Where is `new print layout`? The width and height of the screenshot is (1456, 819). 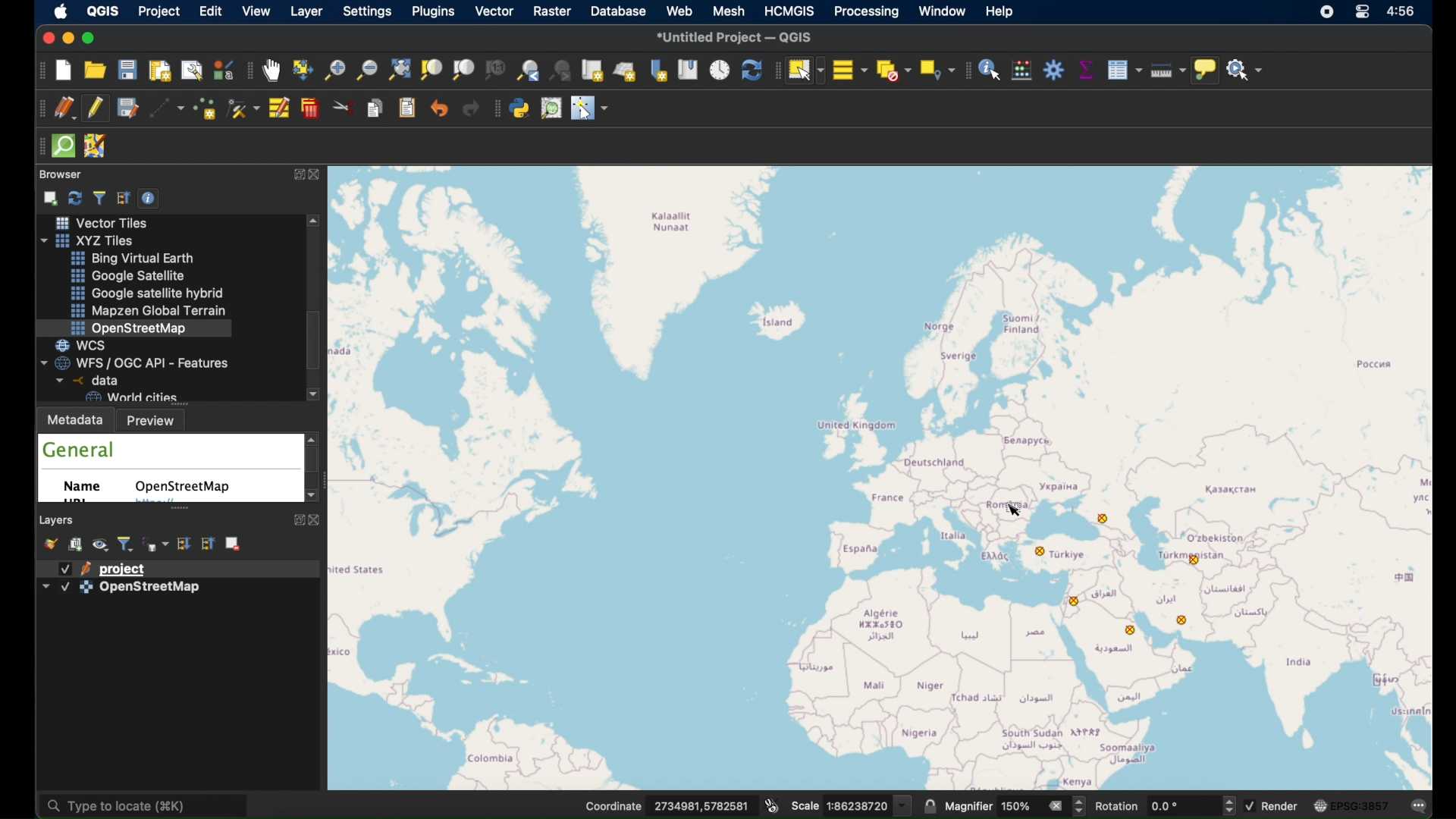
new print layout is located at coordinates (158, 71).